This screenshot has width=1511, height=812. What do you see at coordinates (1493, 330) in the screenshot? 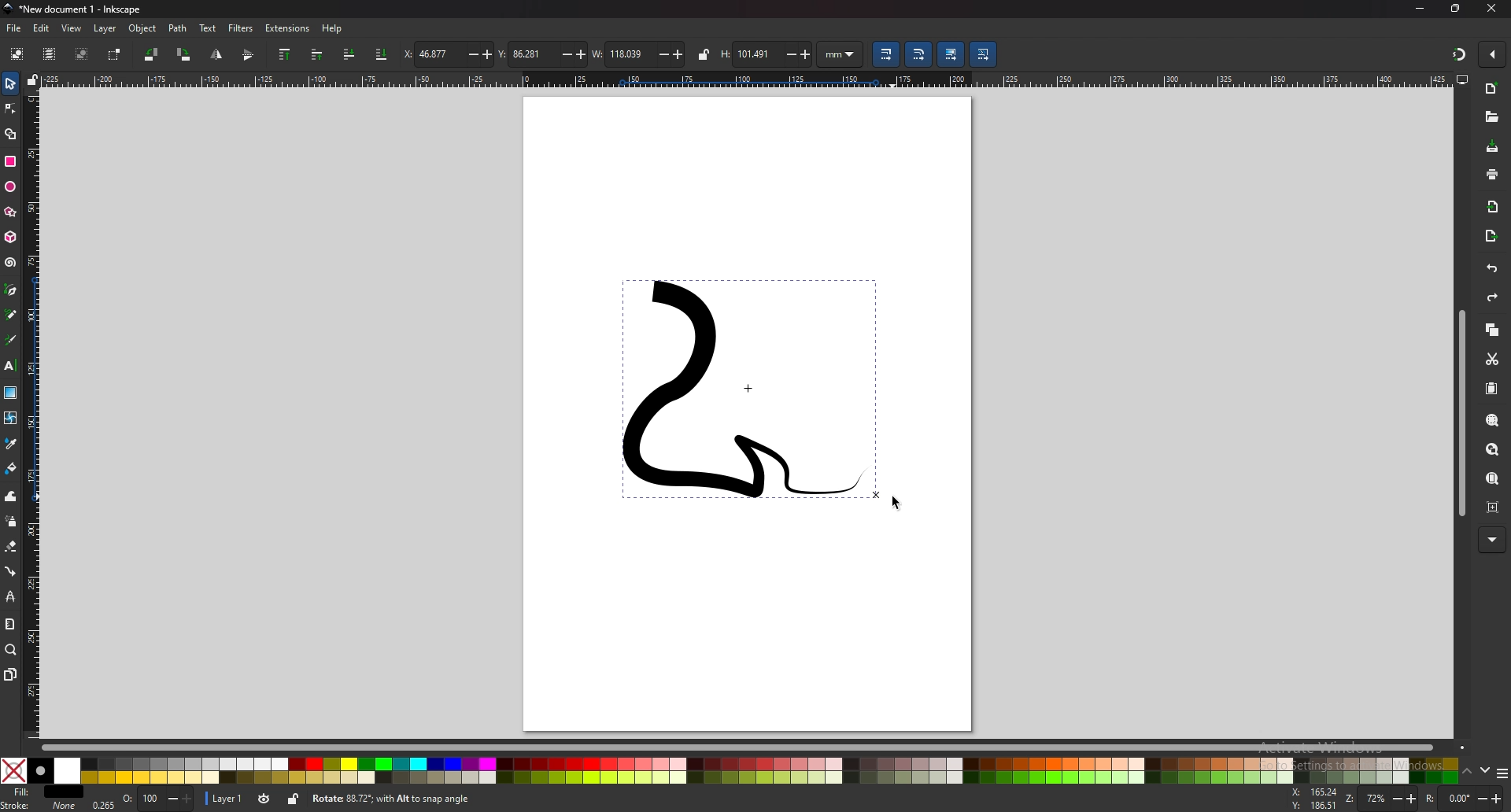
I see `copy` at bounding box center [1493, 330].